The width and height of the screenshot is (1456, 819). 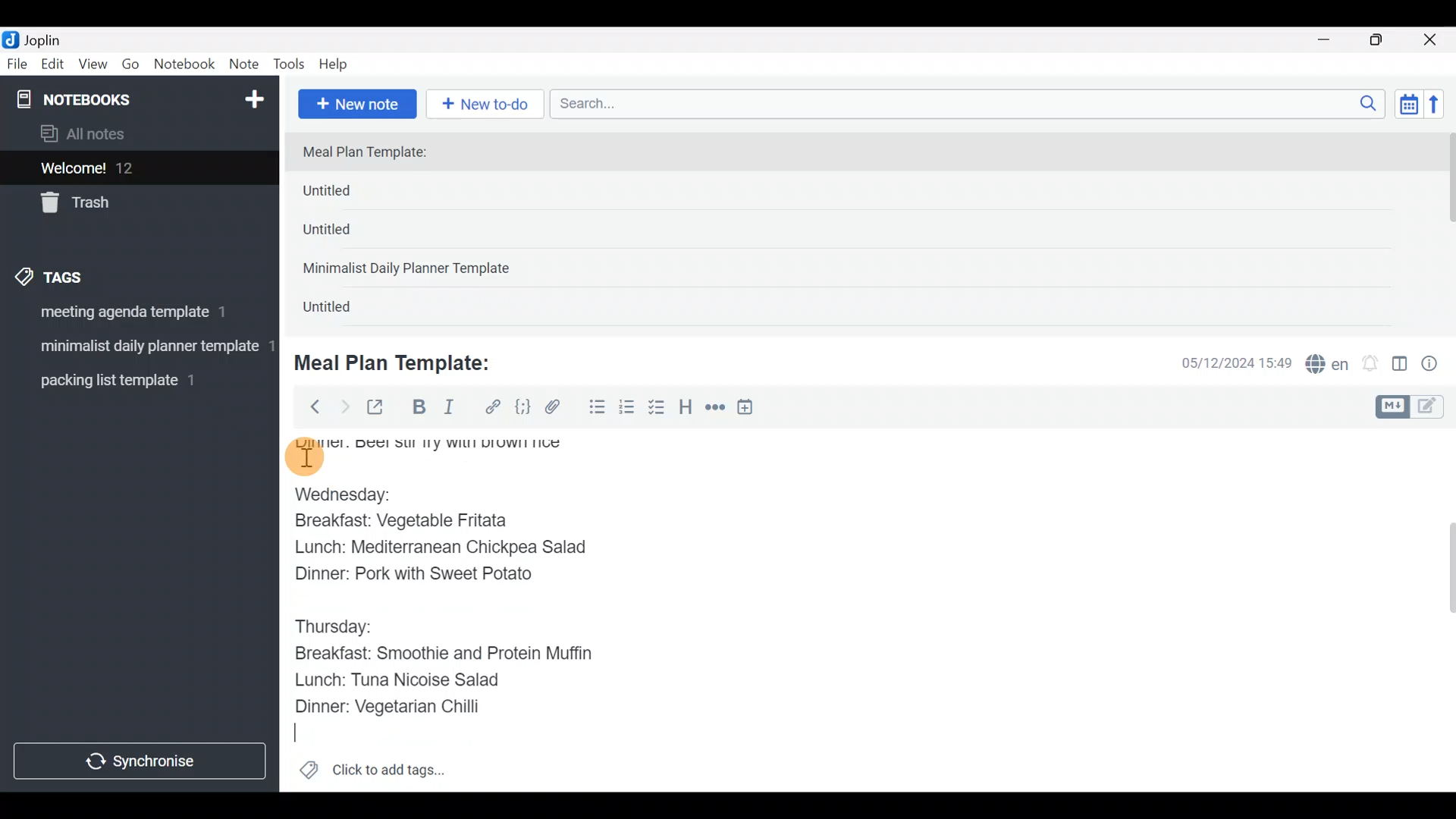 I want to click on Attach file, so click(x=557, y=409).